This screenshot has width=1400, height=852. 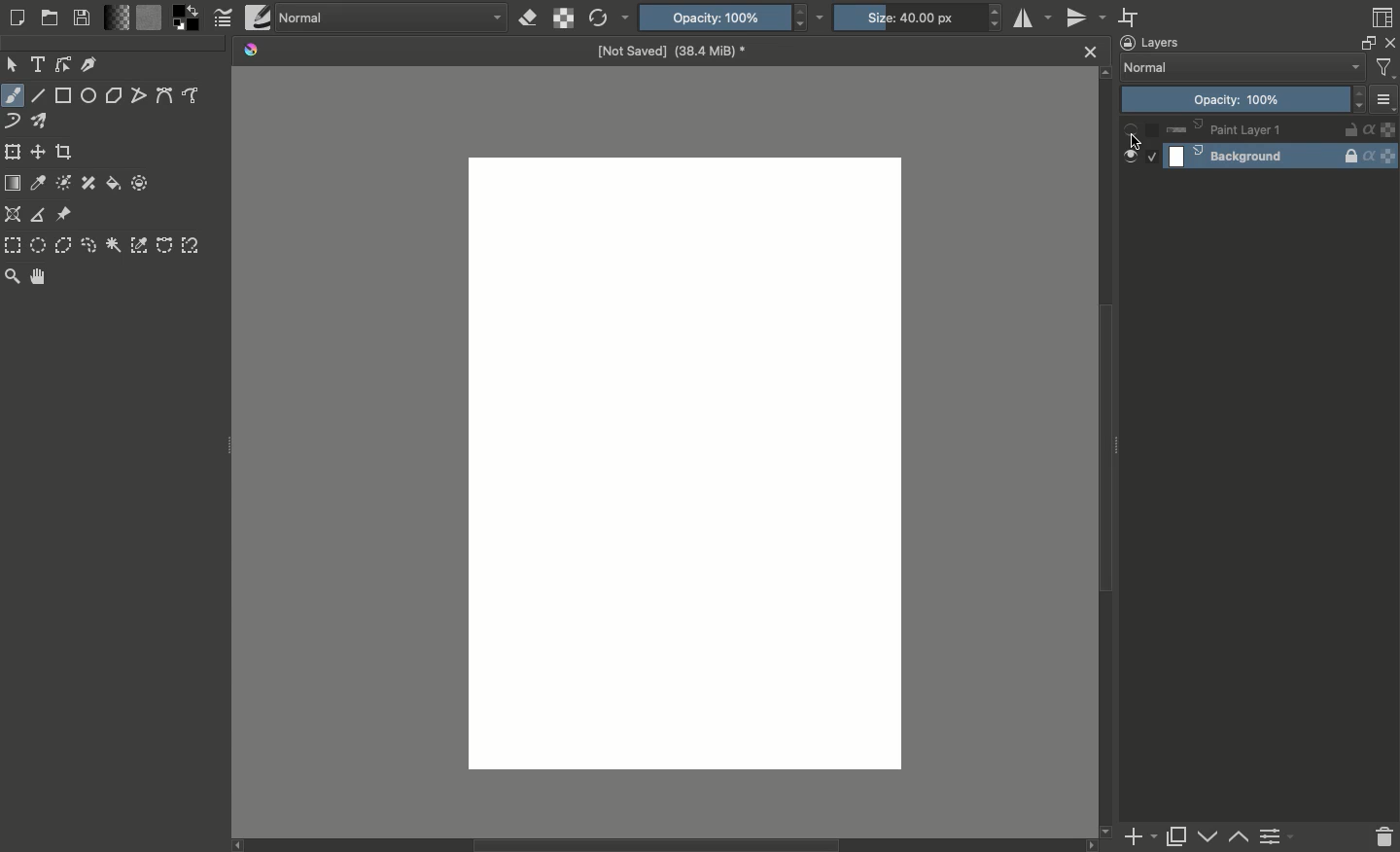 I want to click on Edit, so click(x=65, y=63).